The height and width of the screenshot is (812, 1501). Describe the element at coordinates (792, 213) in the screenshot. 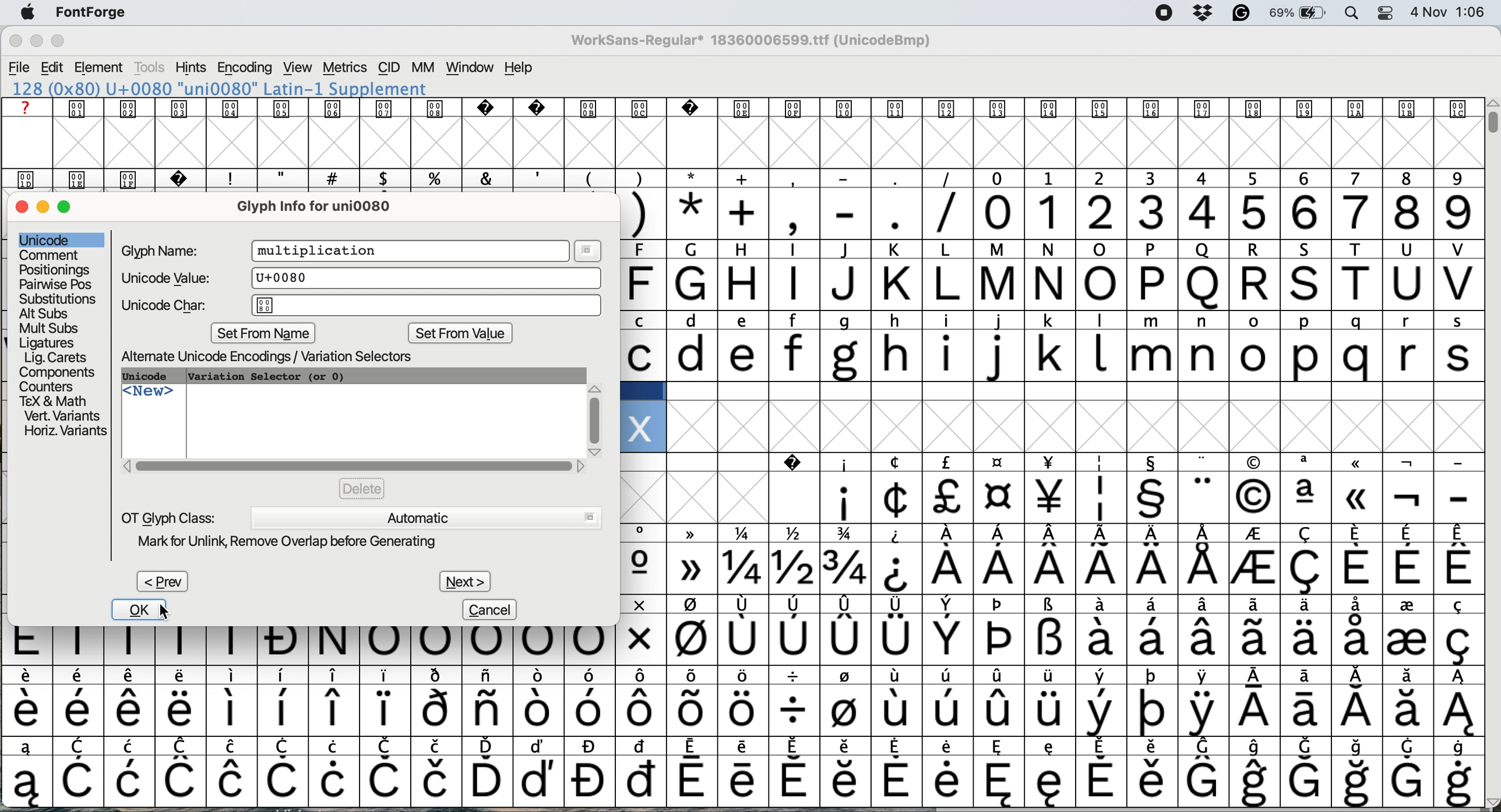

I see `special characters` at that location.